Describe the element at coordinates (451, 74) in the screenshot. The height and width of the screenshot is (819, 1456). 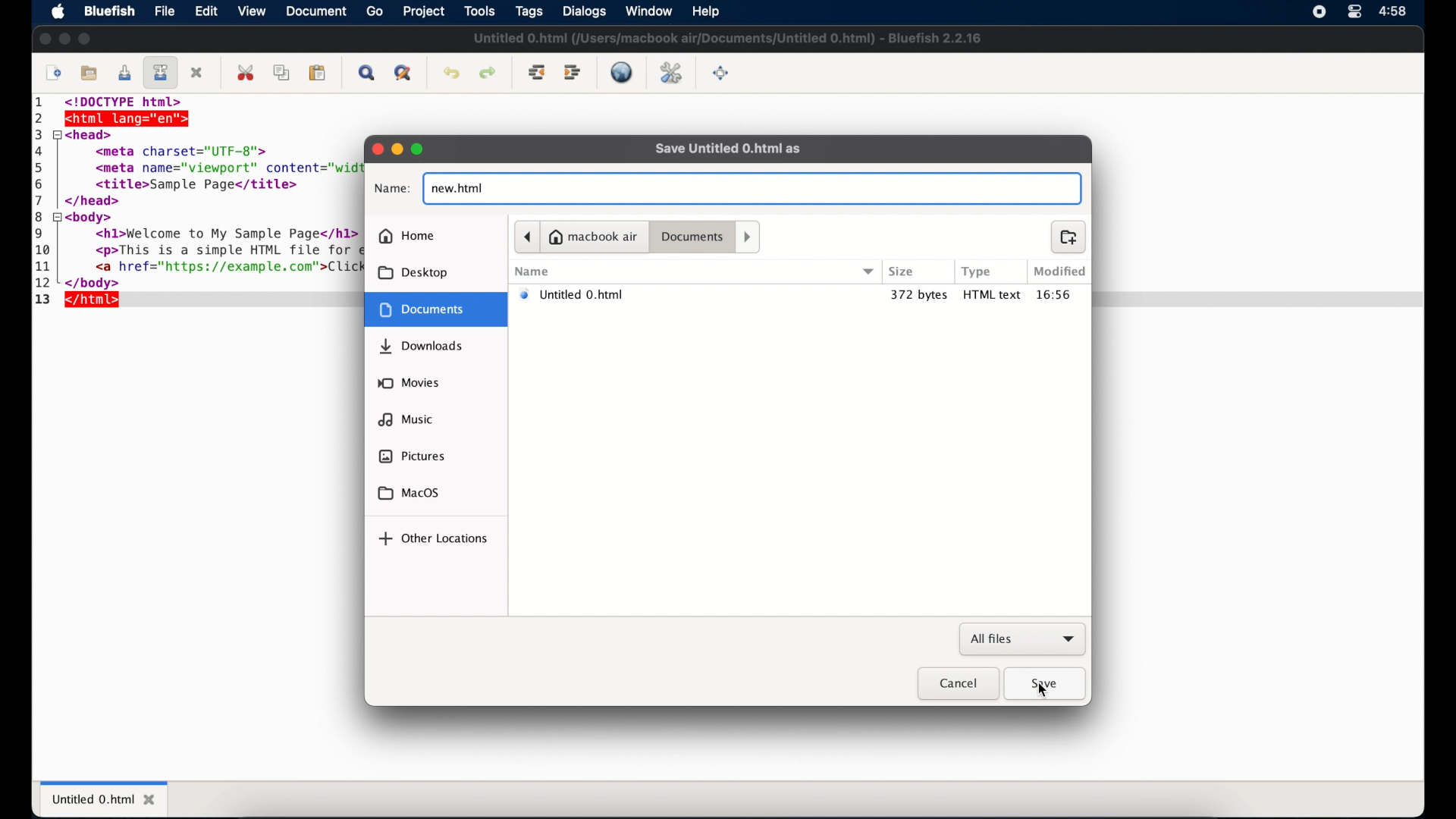
I see `undo` at that location.